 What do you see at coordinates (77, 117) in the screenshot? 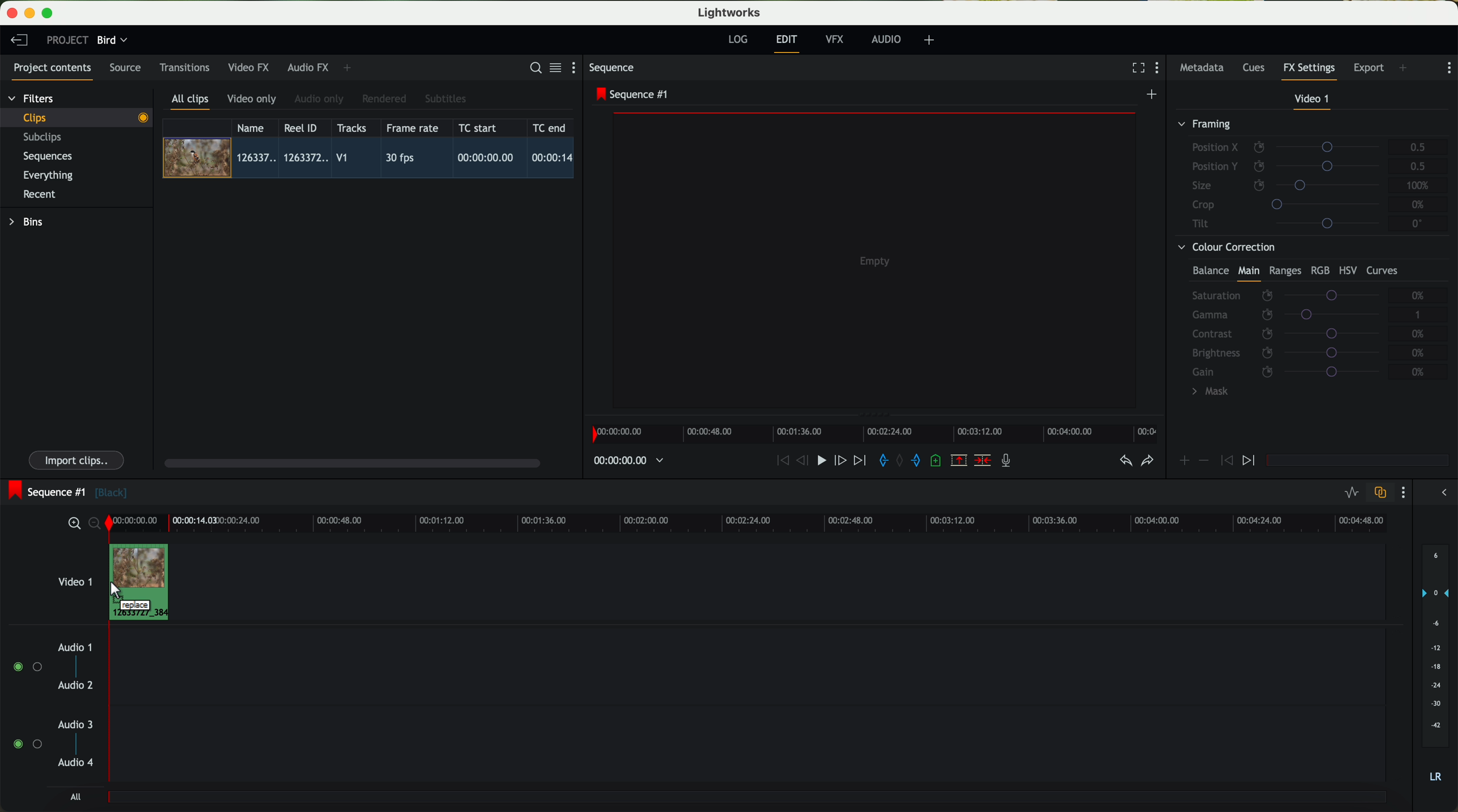
I see `clips` at bounding box center [77, 117].